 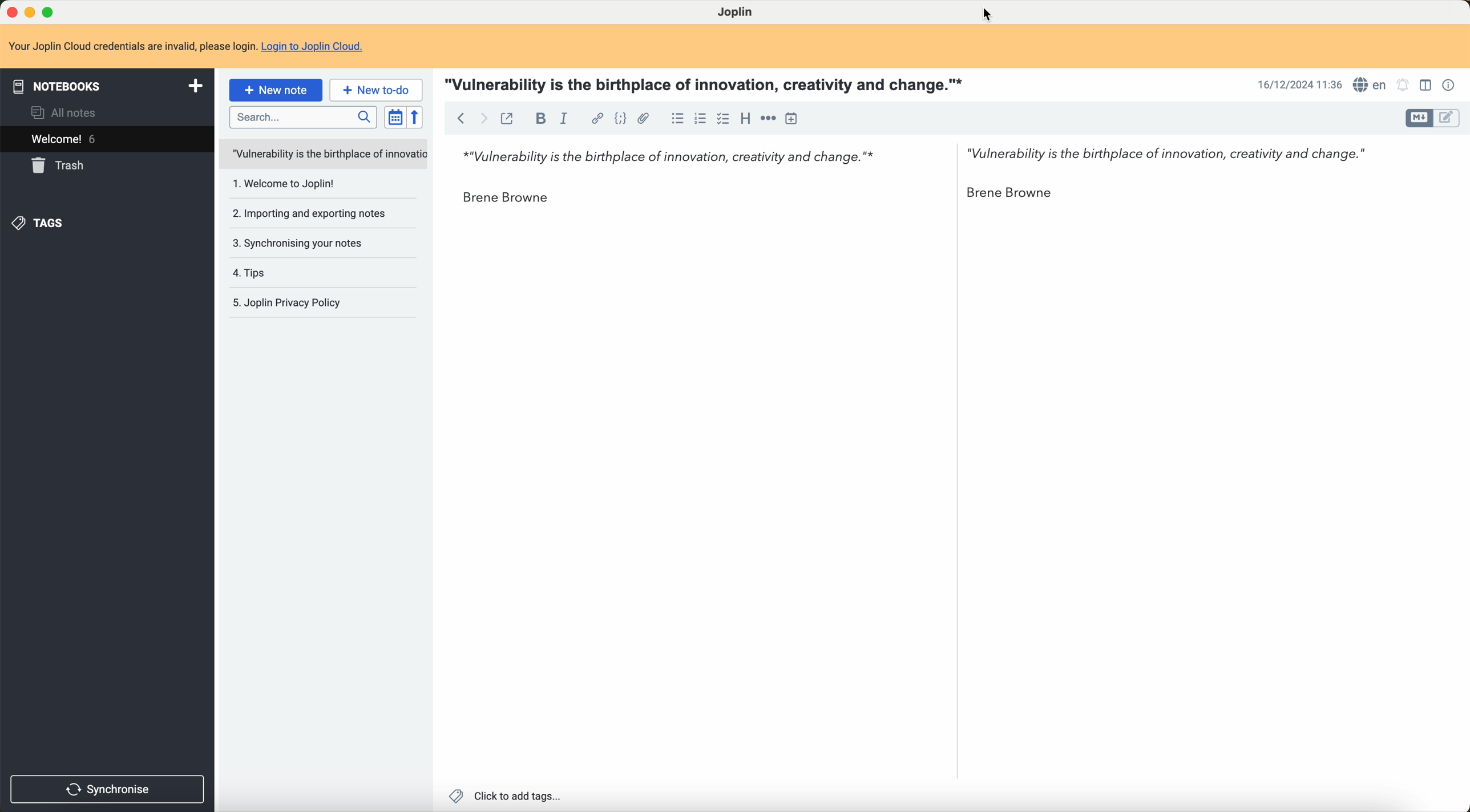 What do you see at coordinates (1020, 193) in the screenshot?
I see `Brene Browne` at bounding box center [1020, 193].